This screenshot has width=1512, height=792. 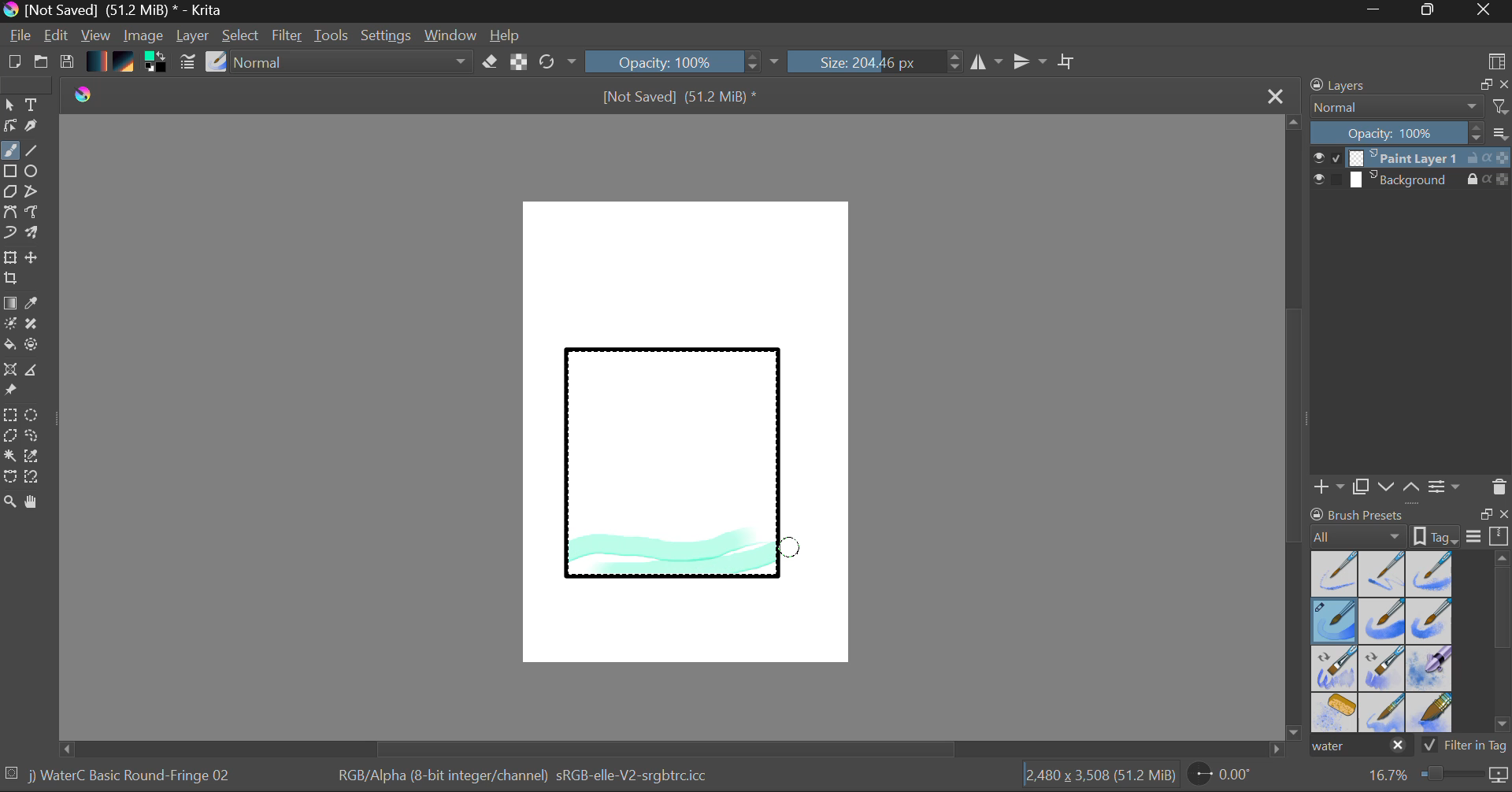 What do you see at coordinates (1336, 668) in the screenshot?
I see `Water C - Grain Tilt` at bounding box center [1336, 668].